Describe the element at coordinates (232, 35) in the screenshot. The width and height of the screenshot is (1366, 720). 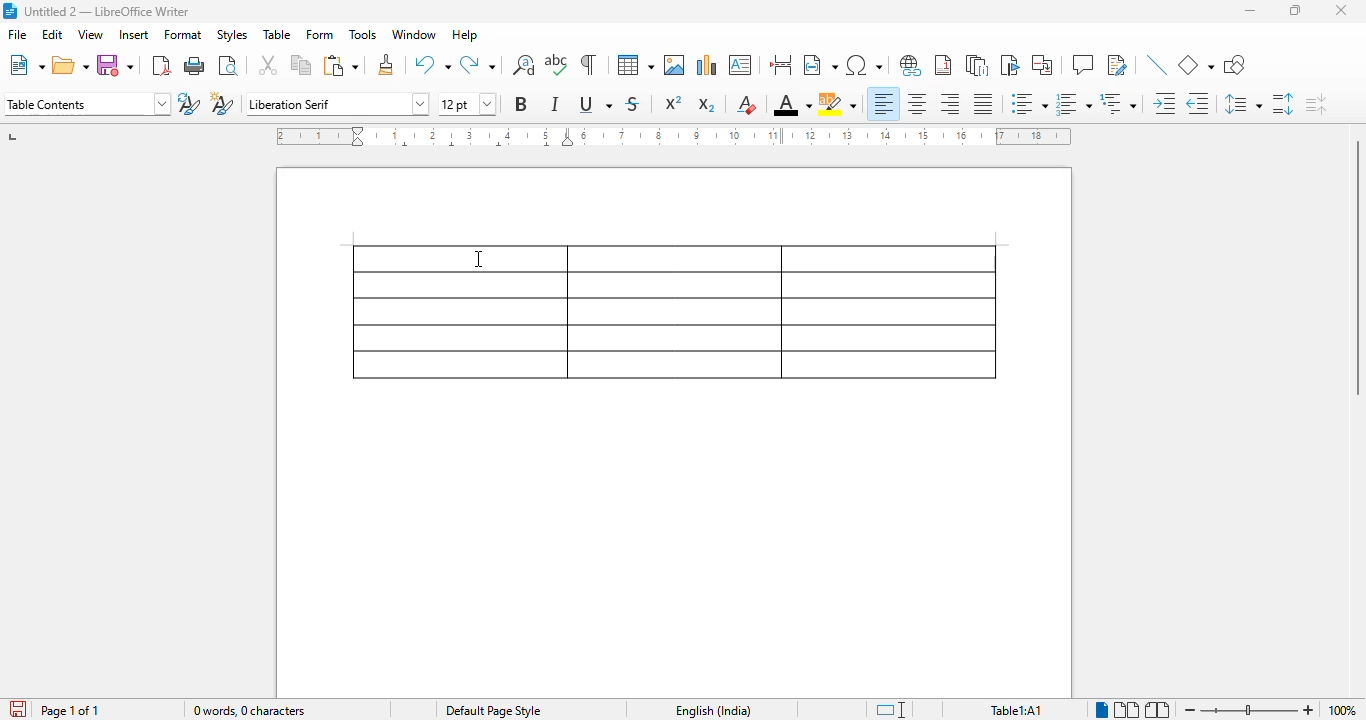
I see `styles` at that location.